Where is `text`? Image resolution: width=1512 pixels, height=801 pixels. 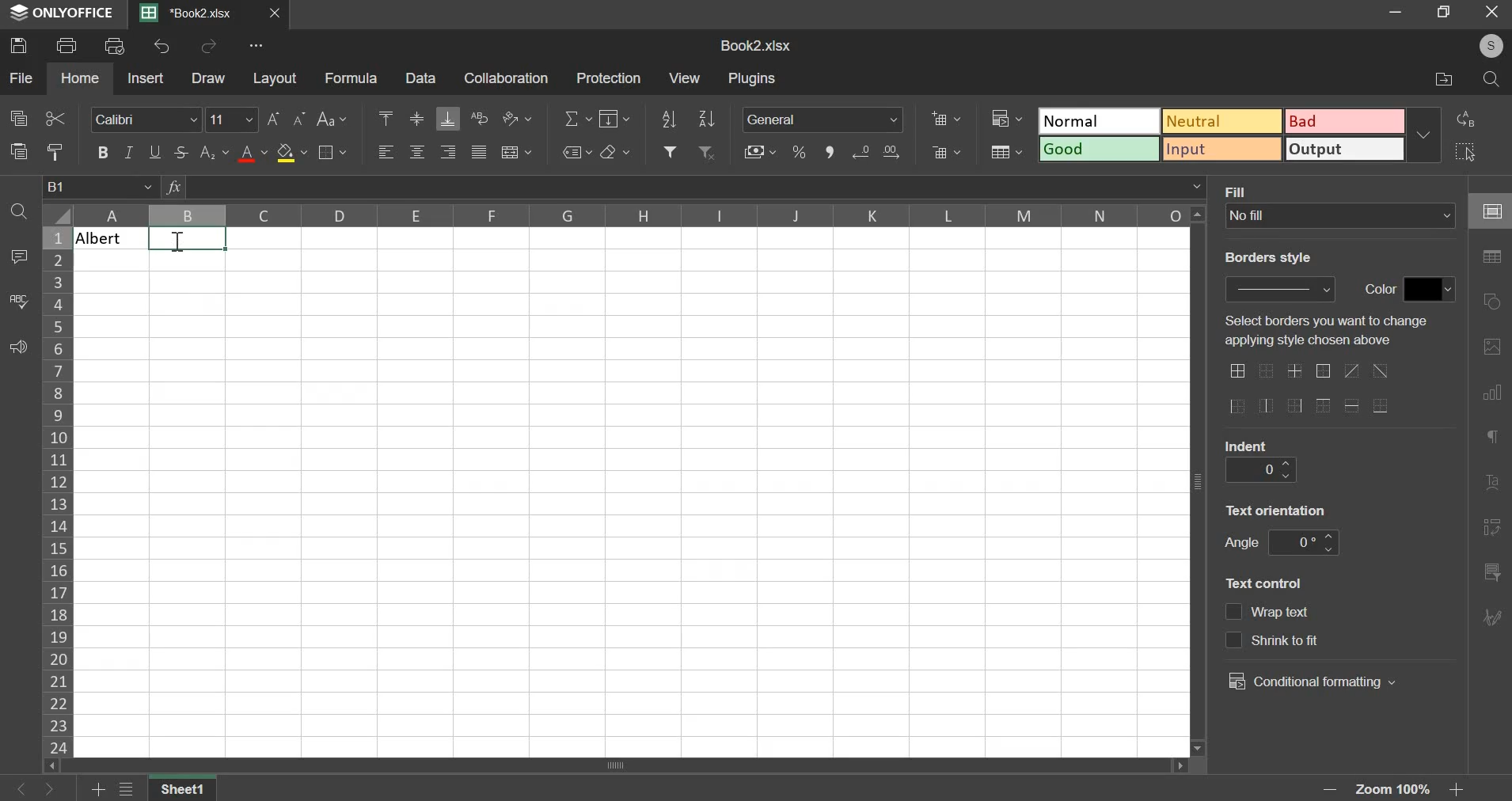
text is located at coordinates (1381, 291).